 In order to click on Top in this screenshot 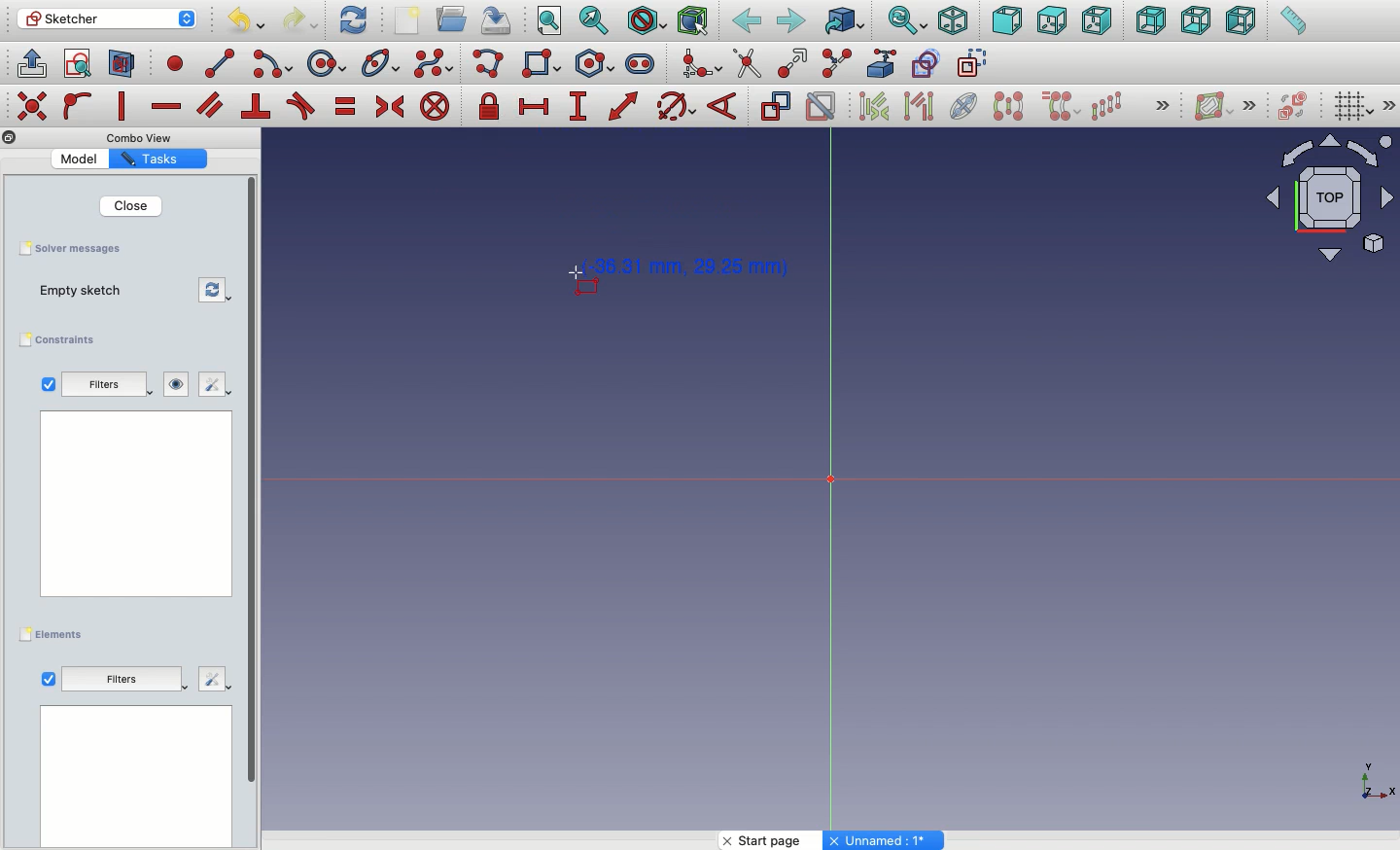, I will do `click(1051, 21)`.